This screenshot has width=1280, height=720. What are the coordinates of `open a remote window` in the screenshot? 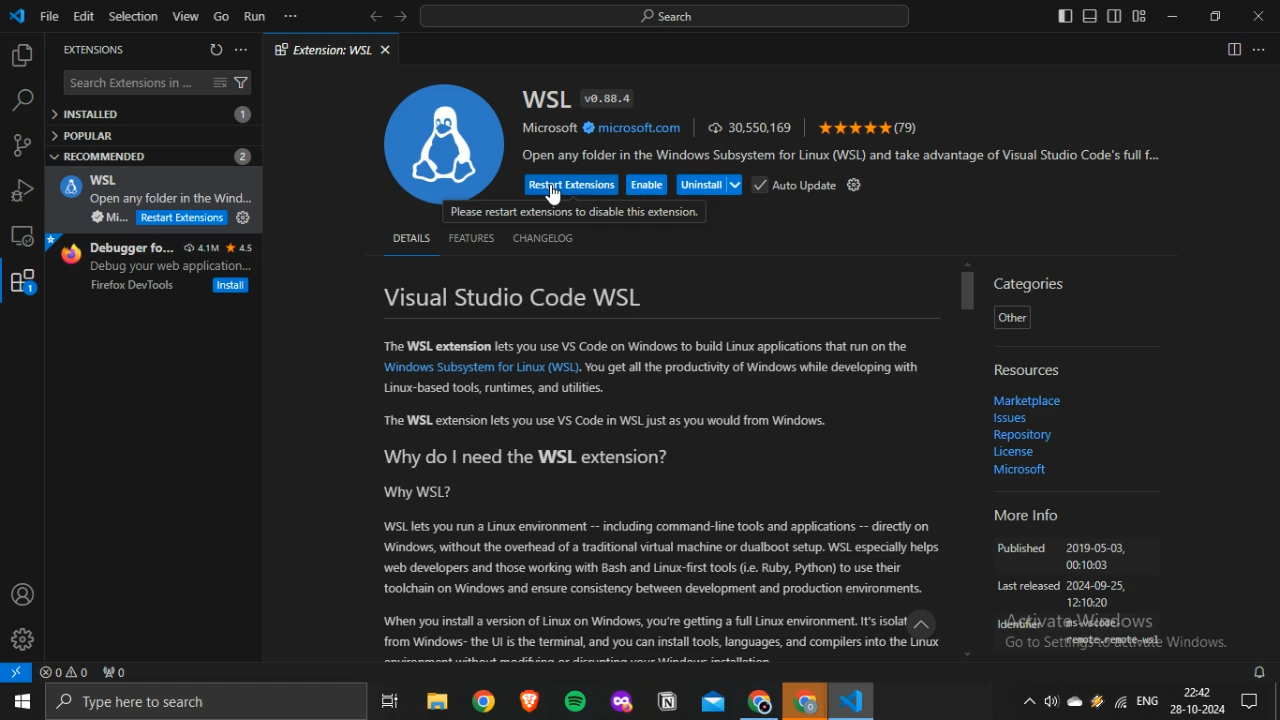 It's located at (17, 672).